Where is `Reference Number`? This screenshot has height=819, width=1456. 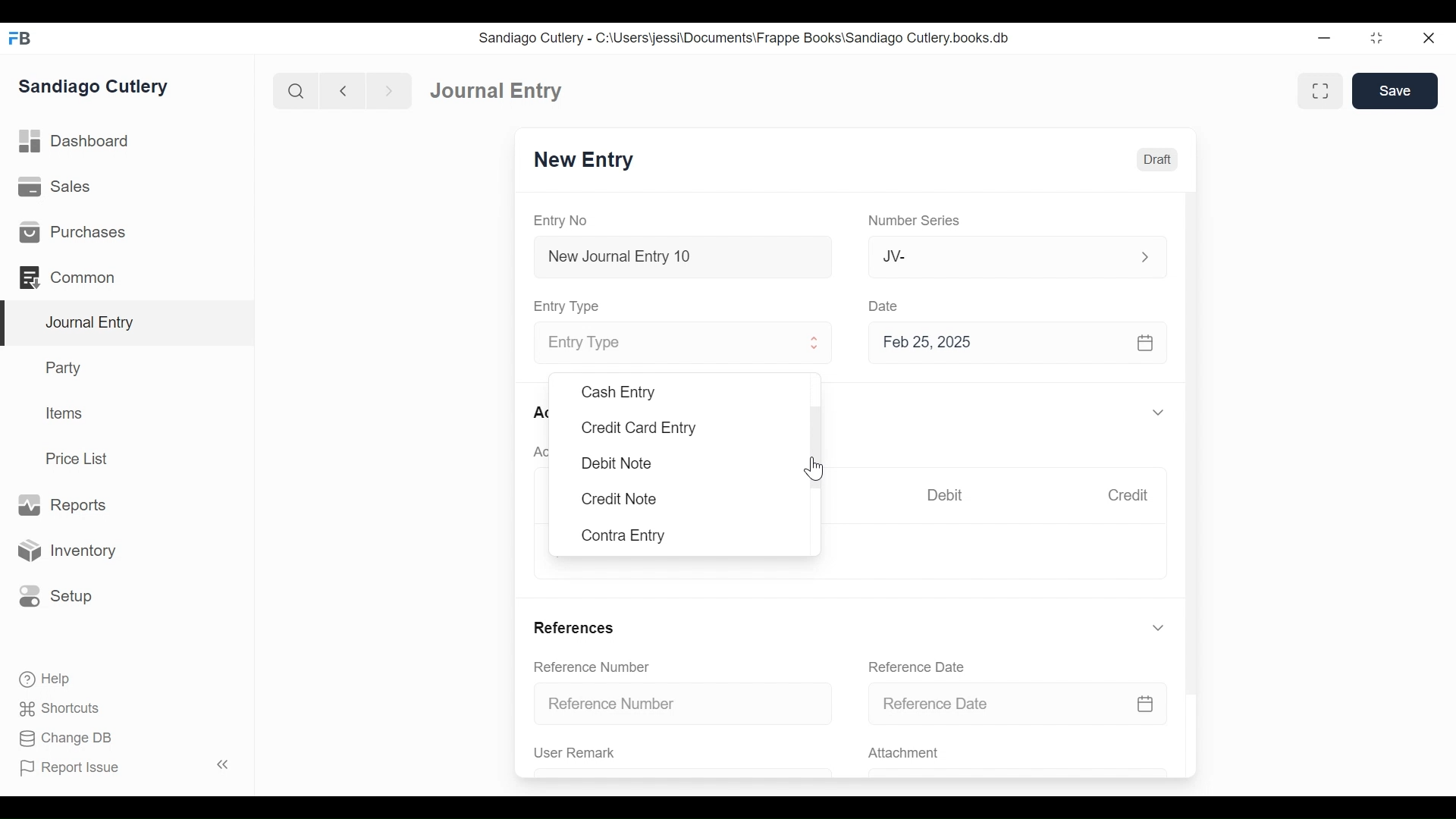
Reference Number is located at coordinates (686, 704).